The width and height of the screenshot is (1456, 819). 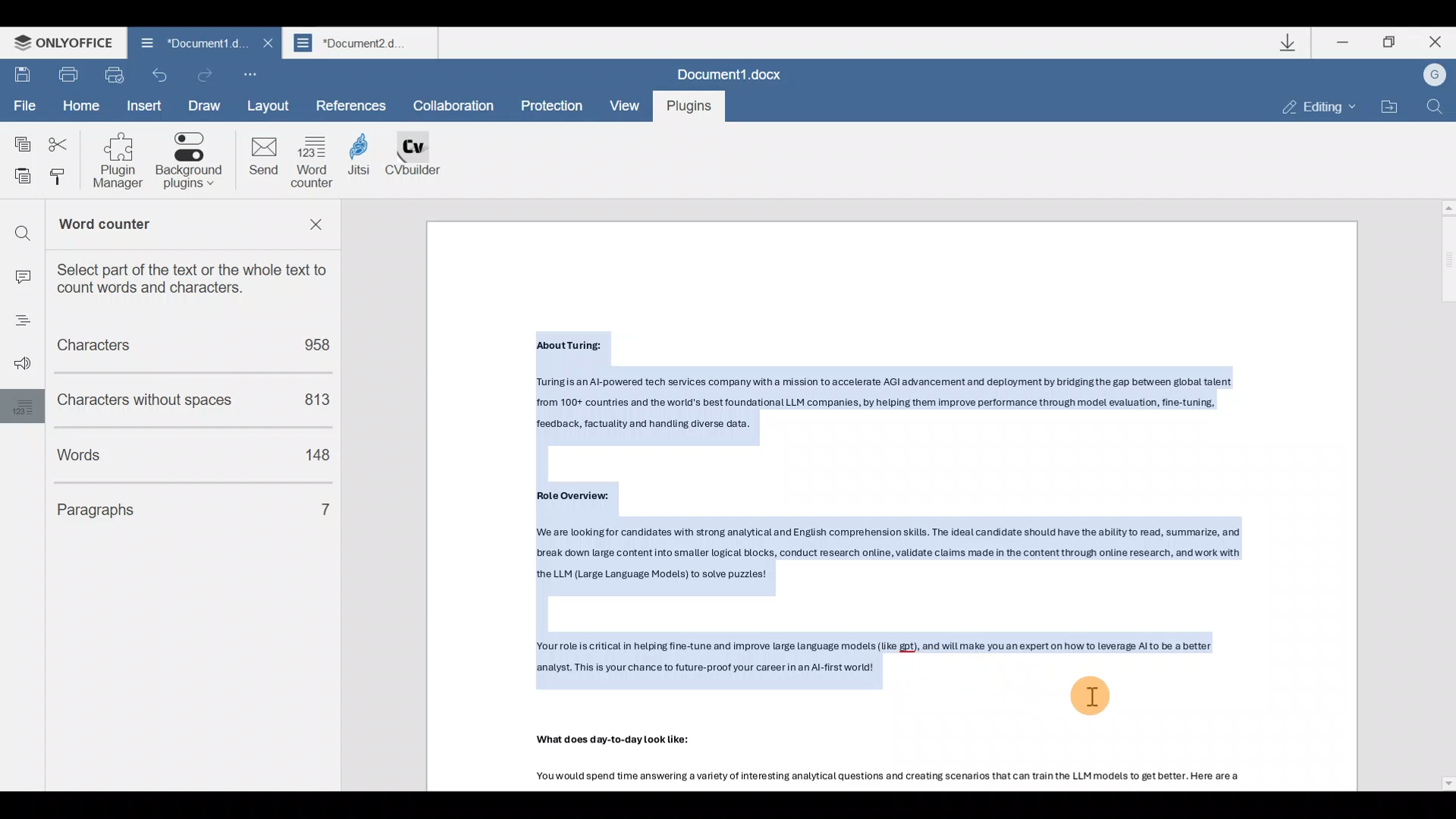 What do you see at coordinates (1392, 105) in the screenshot?
I see `Open file location` at bounding box center [1392, 105].